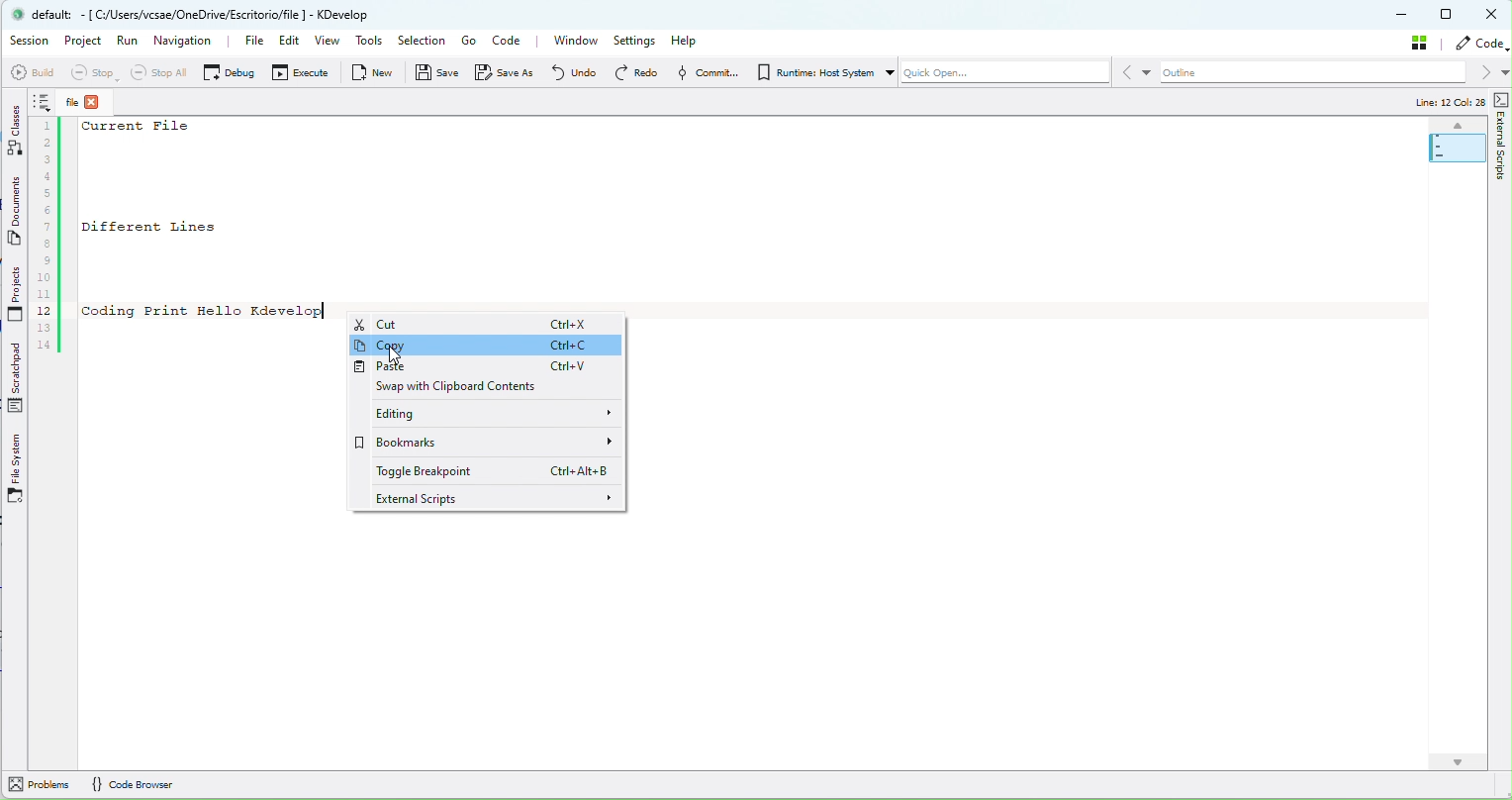  I want to click on Debug, so click(229, 71).